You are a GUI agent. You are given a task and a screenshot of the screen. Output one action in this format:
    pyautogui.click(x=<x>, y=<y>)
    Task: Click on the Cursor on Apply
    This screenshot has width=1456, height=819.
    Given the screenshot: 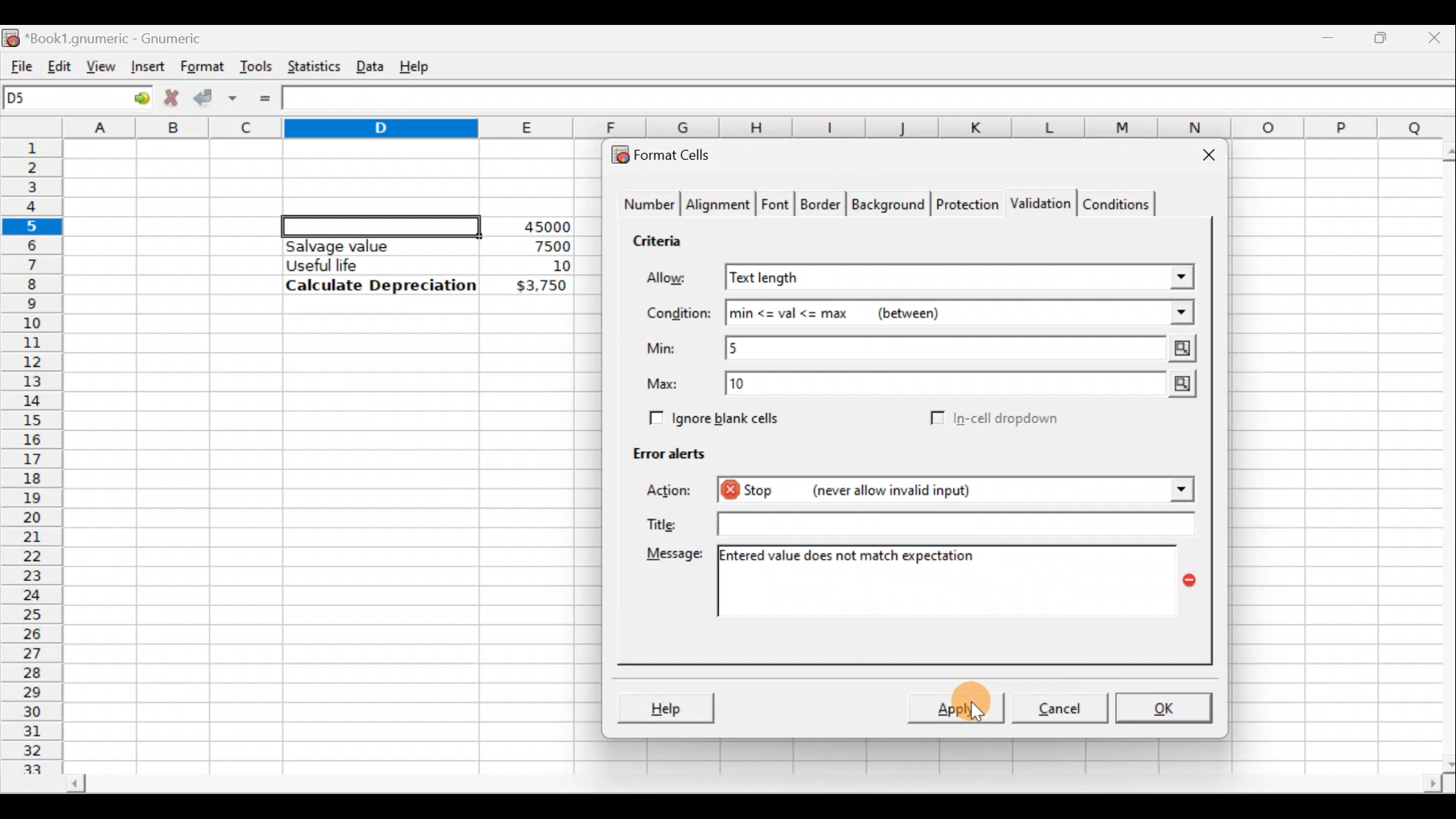 What is the action you would take?
    pyautogui.click(x=977, y=708)
    